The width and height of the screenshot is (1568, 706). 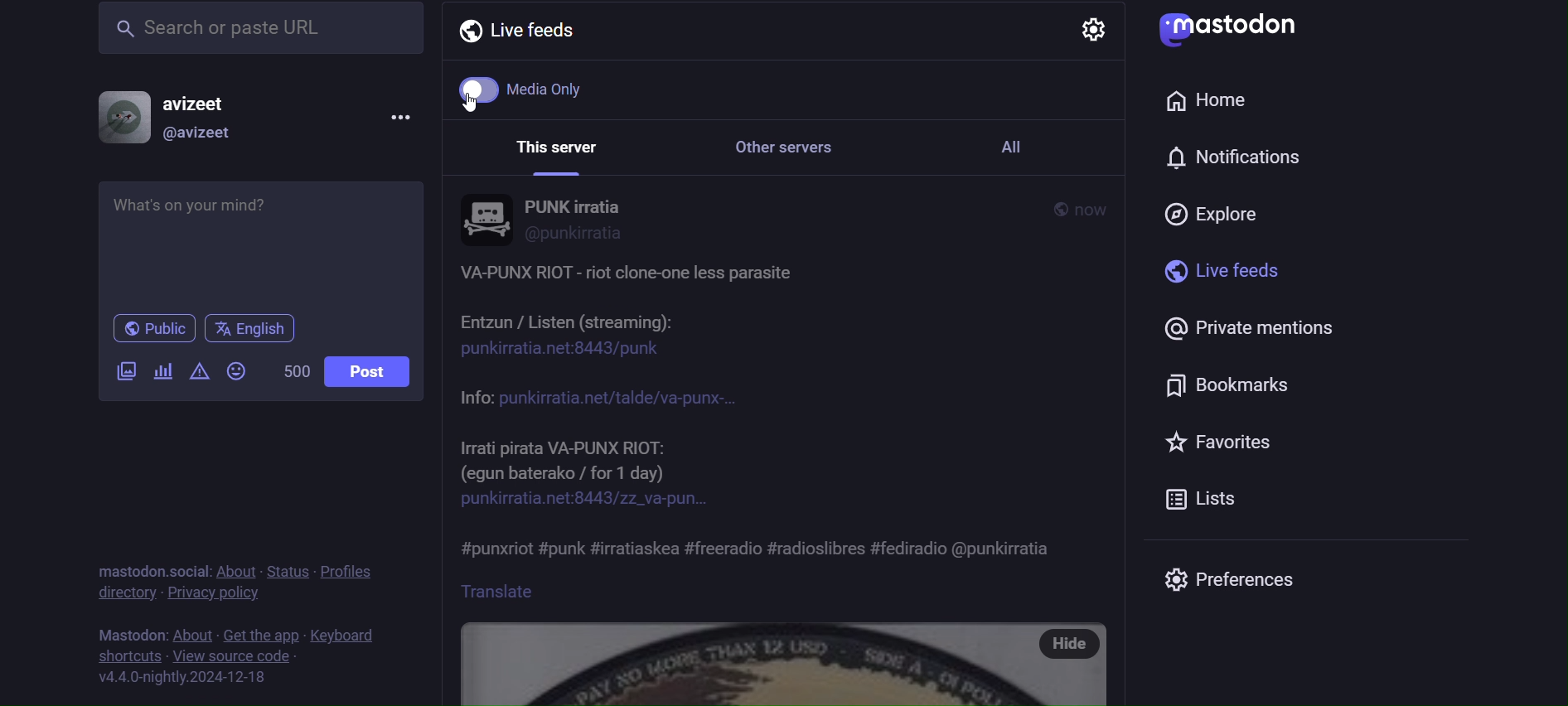 I want to click on live feeds, so click(x=1217, y=277).